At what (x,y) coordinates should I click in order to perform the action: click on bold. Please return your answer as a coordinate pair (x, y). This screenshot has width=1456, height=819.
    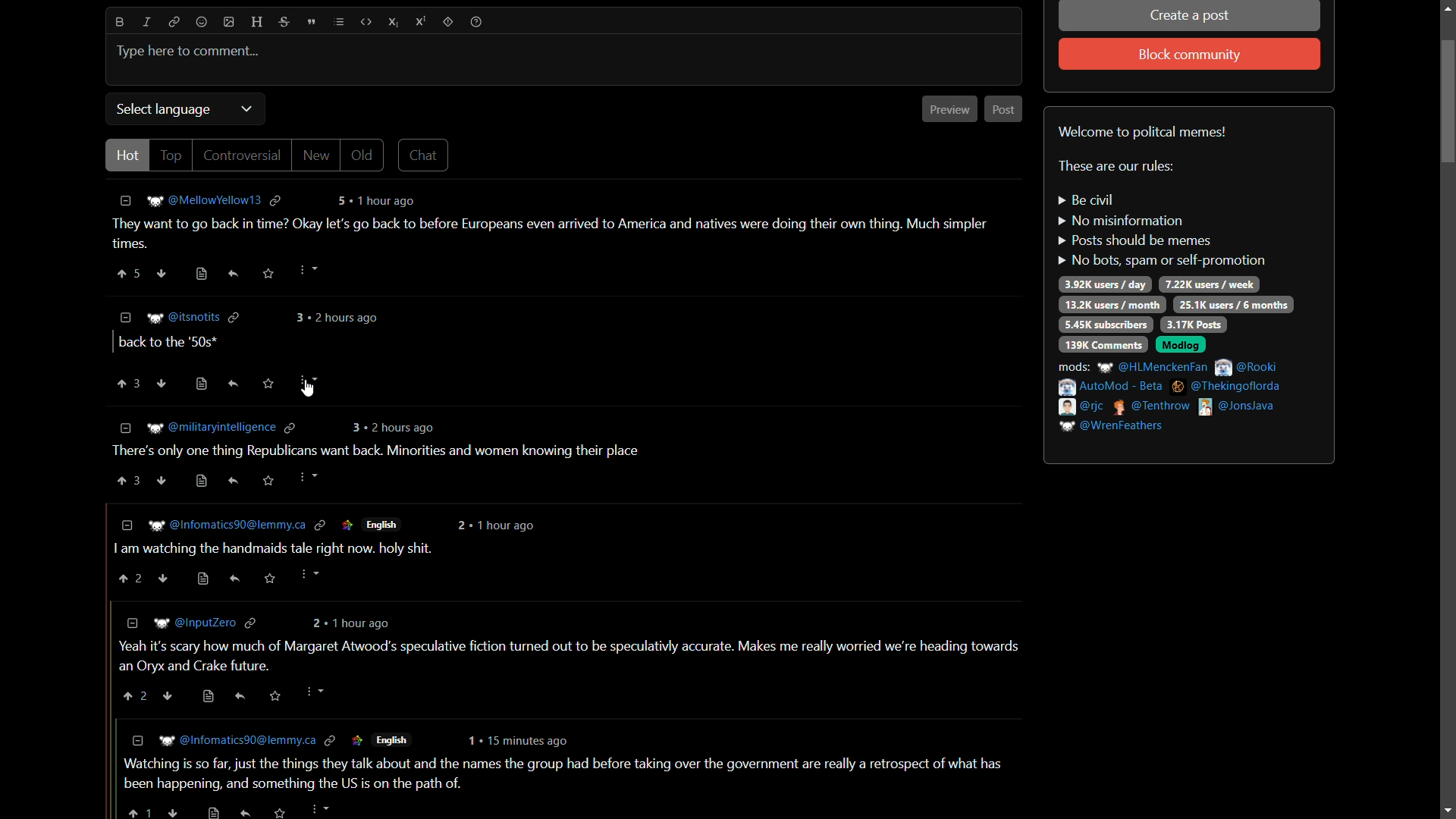
    Looking at the image, I should click on (120, 22).